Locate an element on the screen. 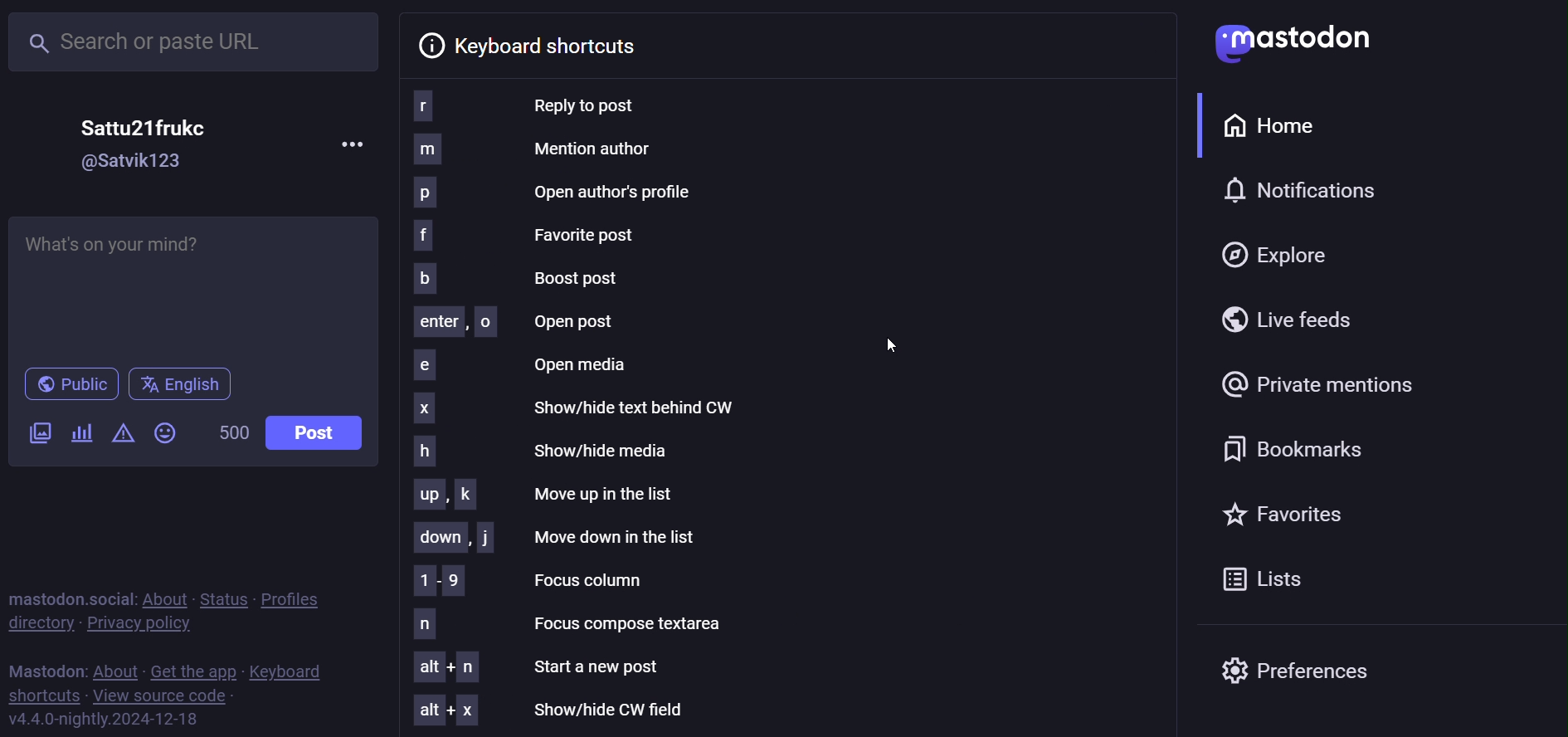  show/hide CW field is located at coordinates (556, 710).